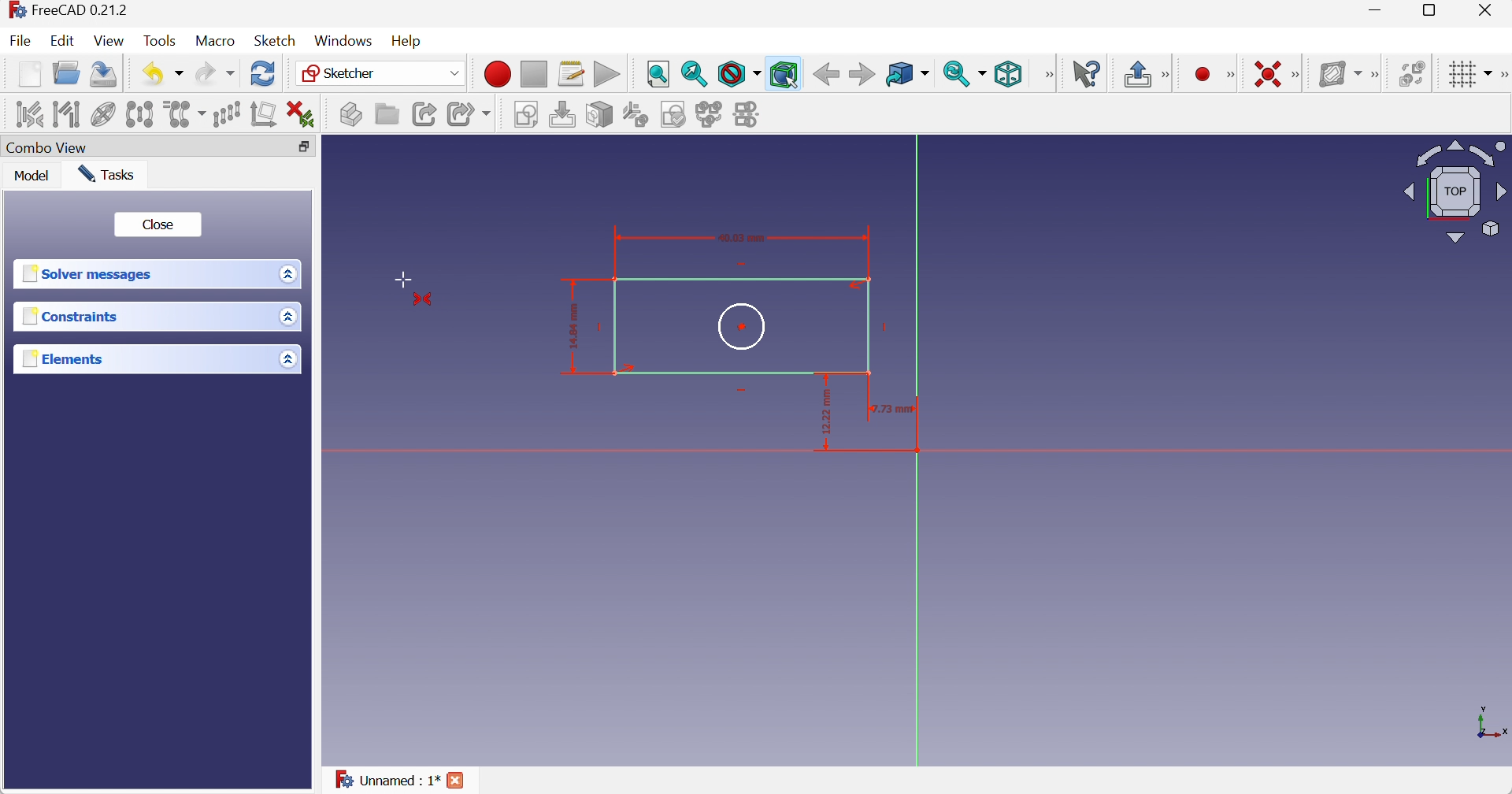  Describe the element at coordinates (565, 115) in the screenshot. I see `Edit sketch` at that location.